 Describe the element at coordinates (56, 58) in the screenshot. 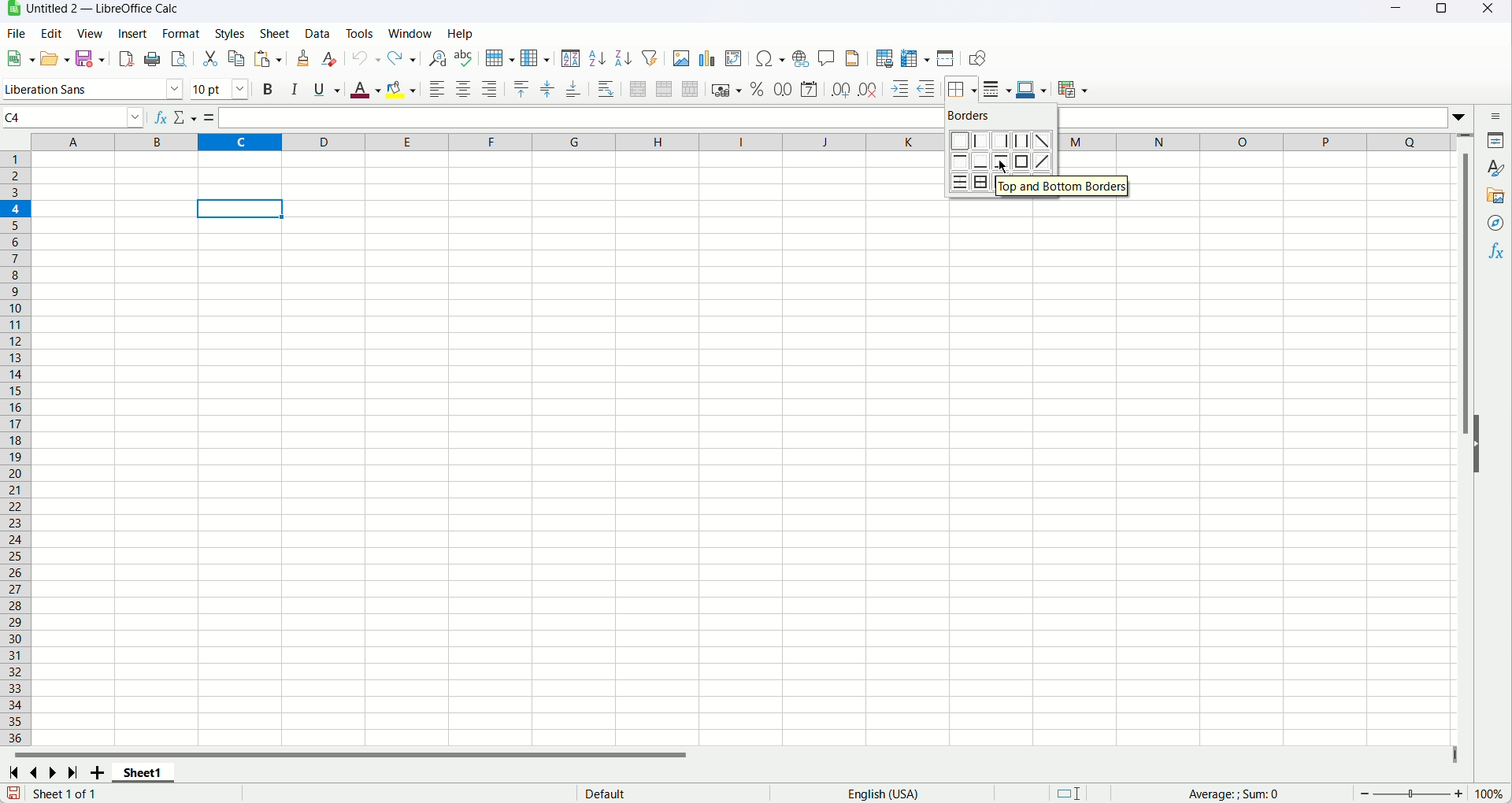

I see `Open` at that location.